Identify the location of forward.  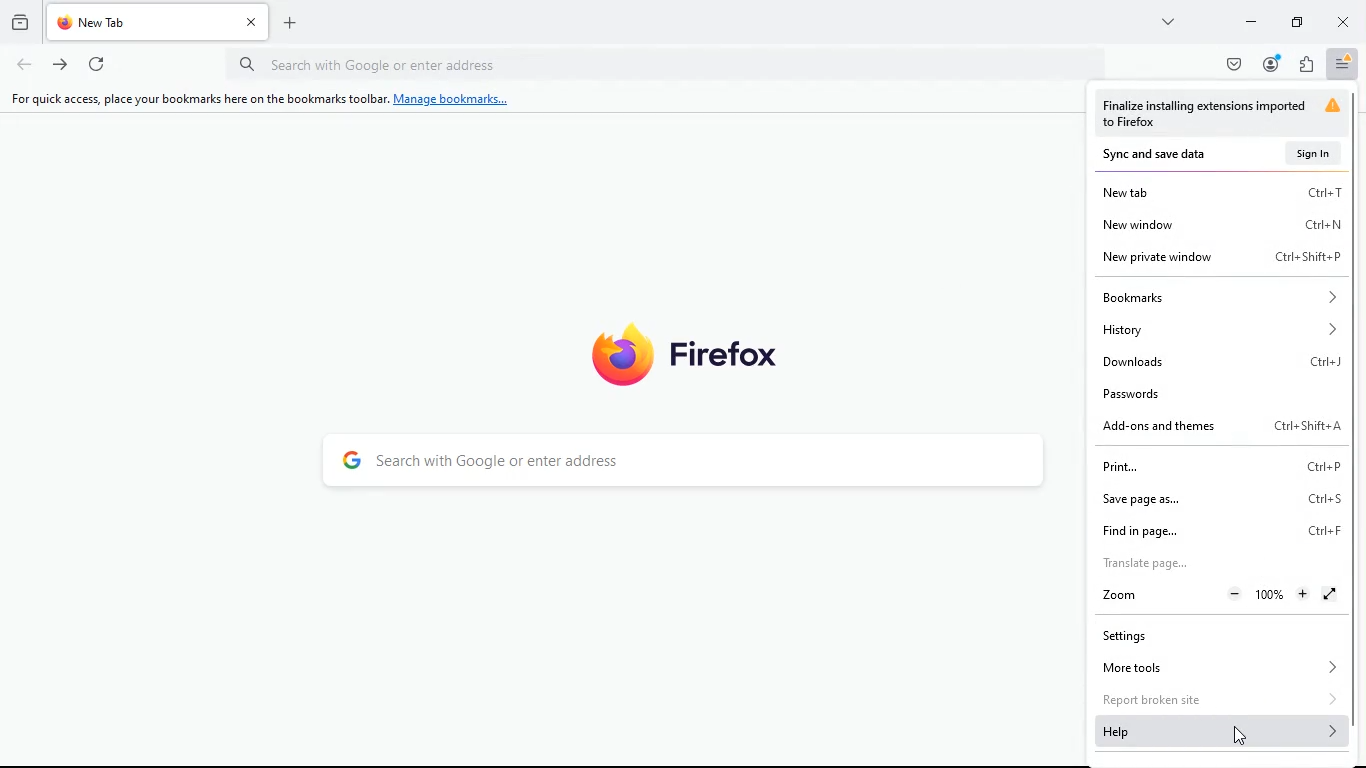
(61, 65).